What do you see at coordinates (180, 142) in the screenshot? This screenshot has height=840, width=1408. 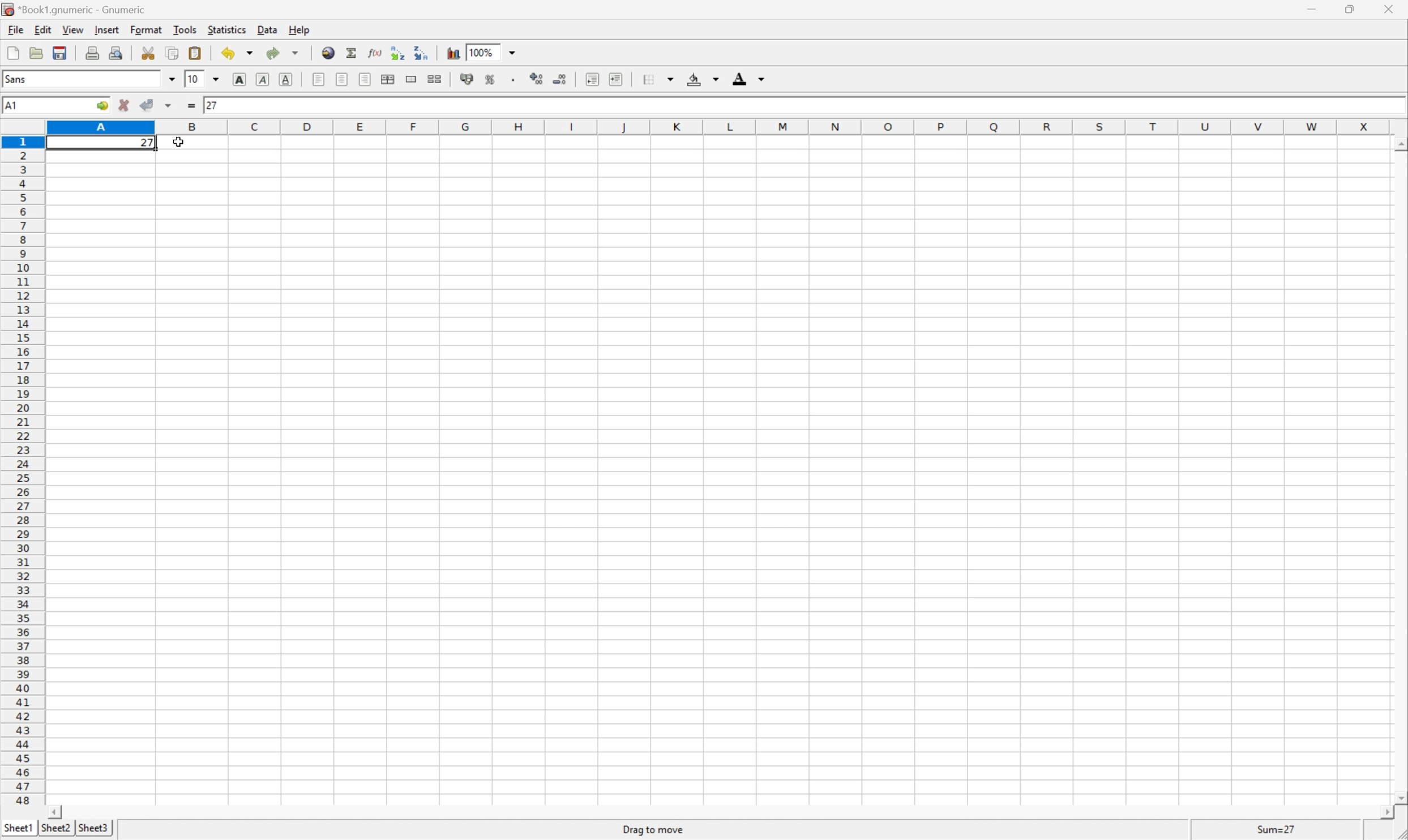 I see `Cursor` at bounding box center [180, 142].